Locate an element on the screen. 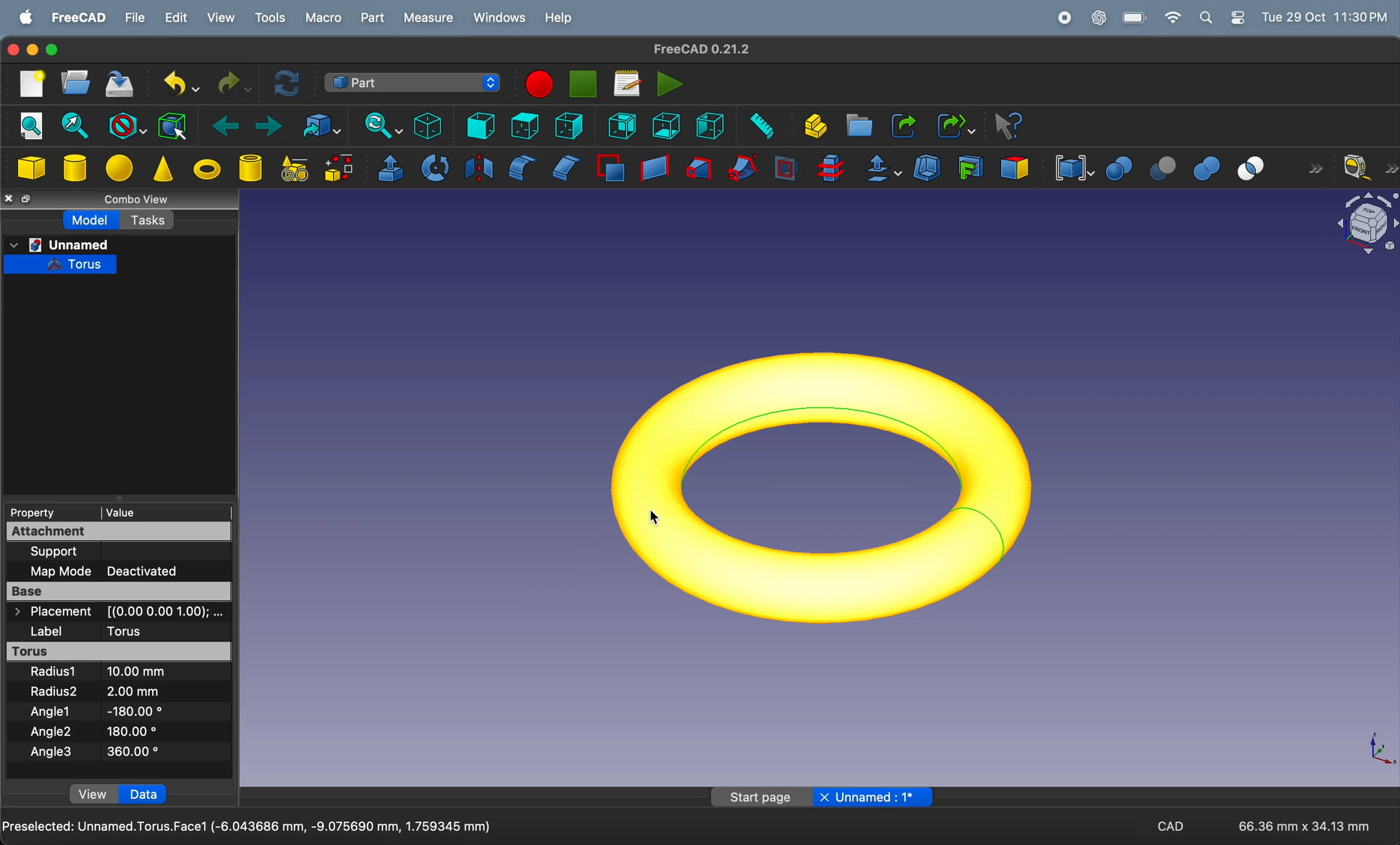 The height and width of the screenshot is (845, 1400). apple widgets is located at coordinates (1209, 18).